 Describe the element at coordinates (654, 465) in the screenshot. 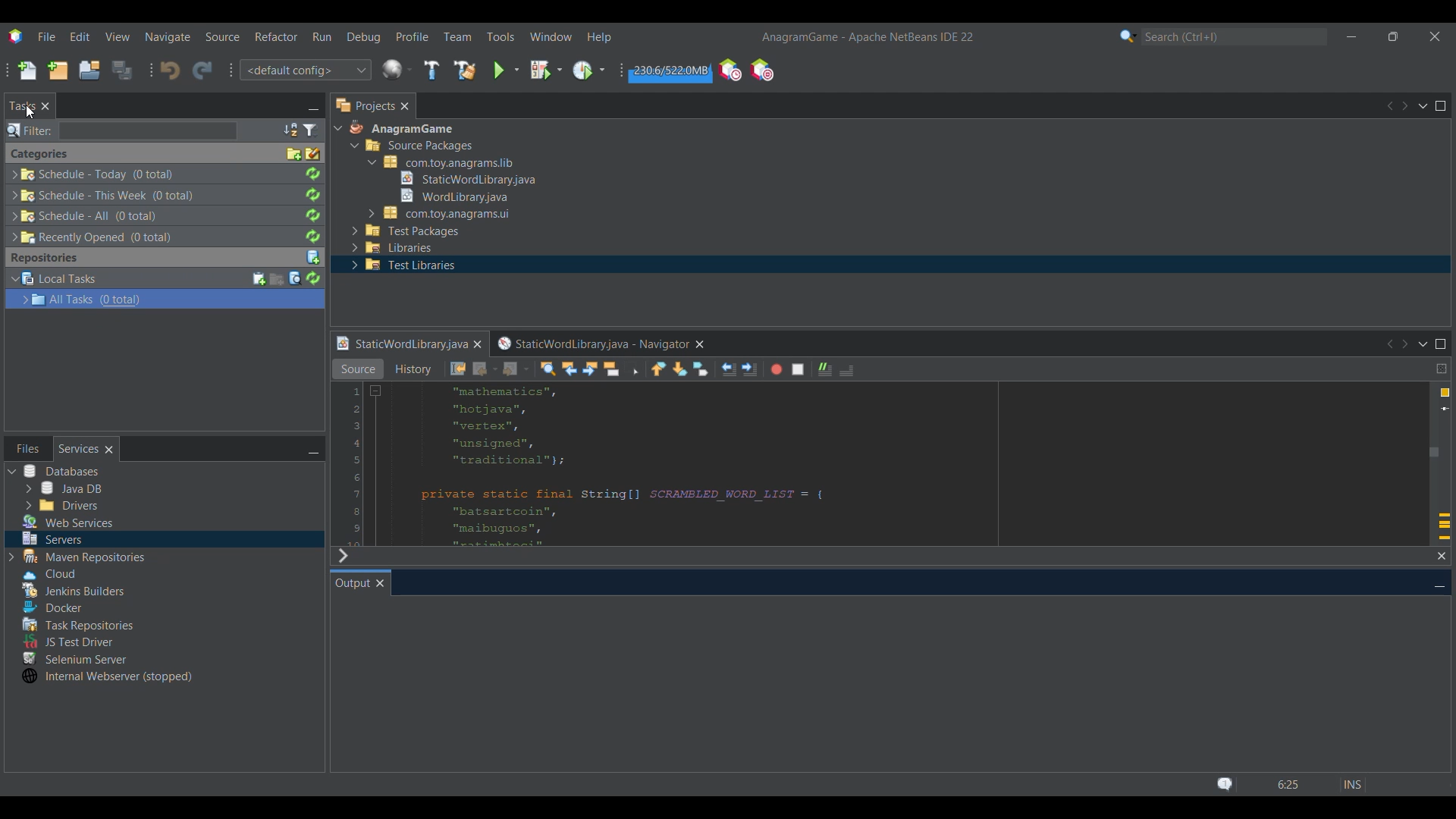

I see `Code` at that location.